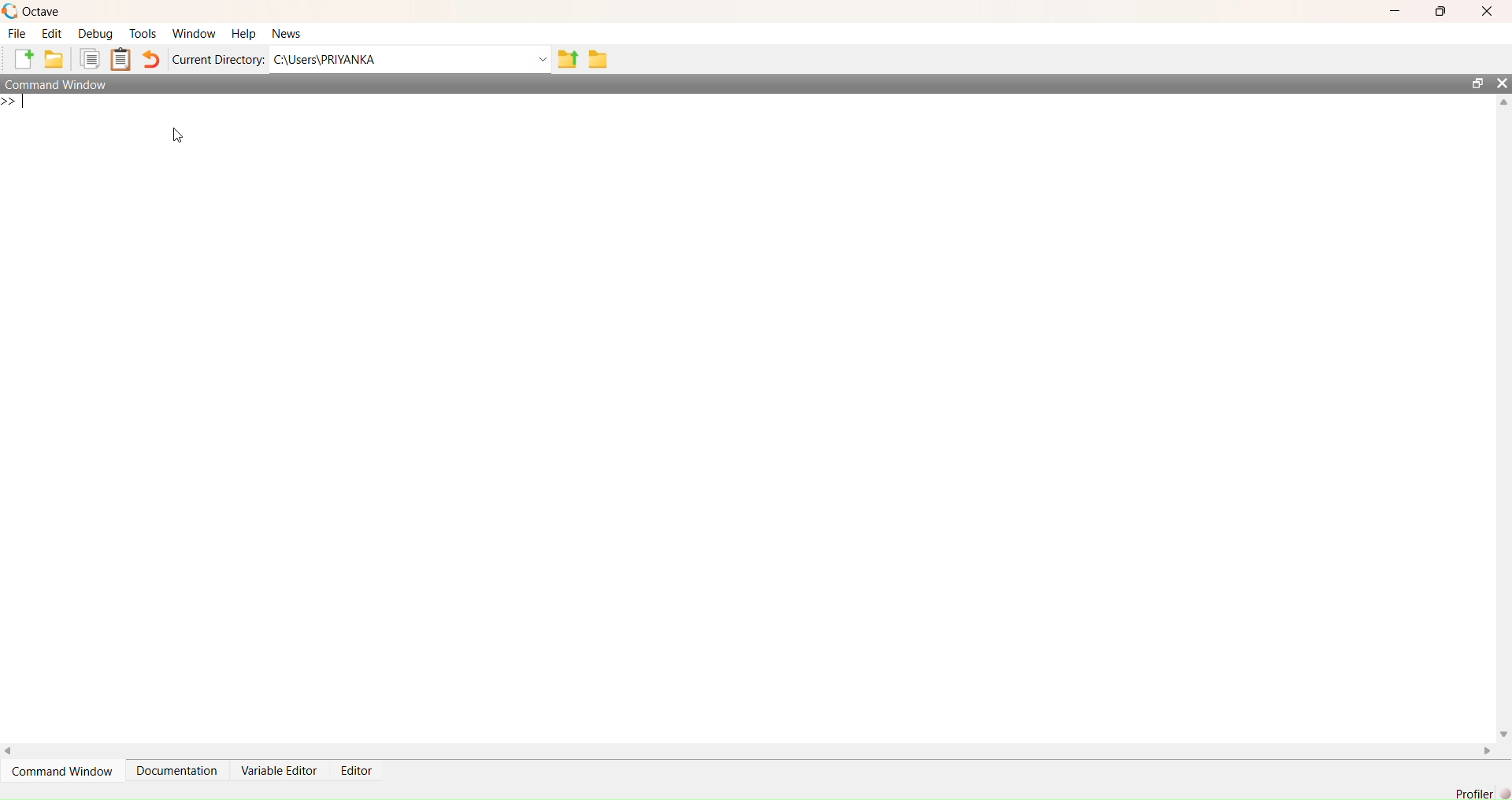  I want to click on add, so click(18, 60).